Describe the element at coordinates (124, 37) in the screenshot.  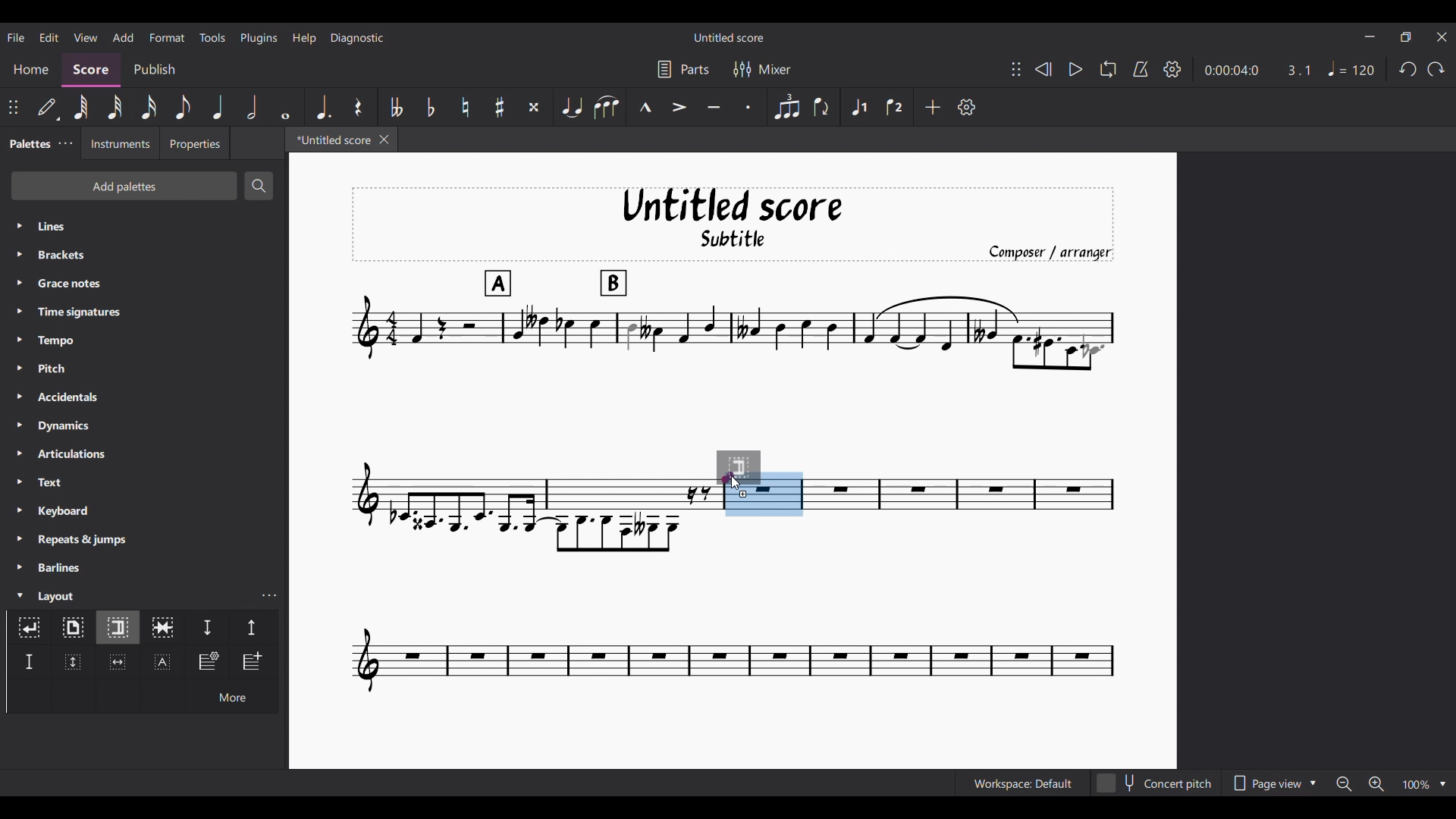
I see `Add menu` at that location.